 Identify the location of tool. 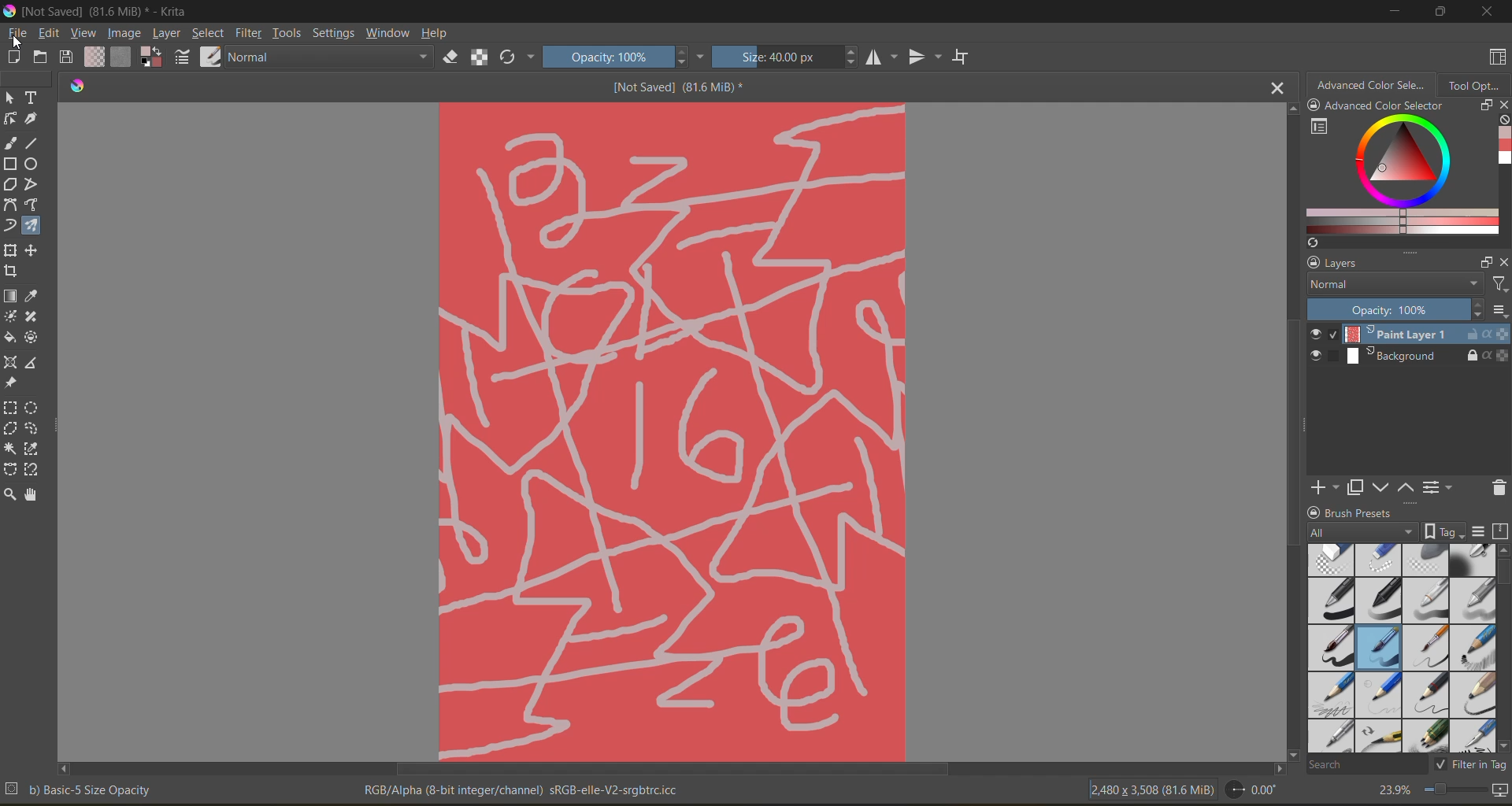
(31, 469).